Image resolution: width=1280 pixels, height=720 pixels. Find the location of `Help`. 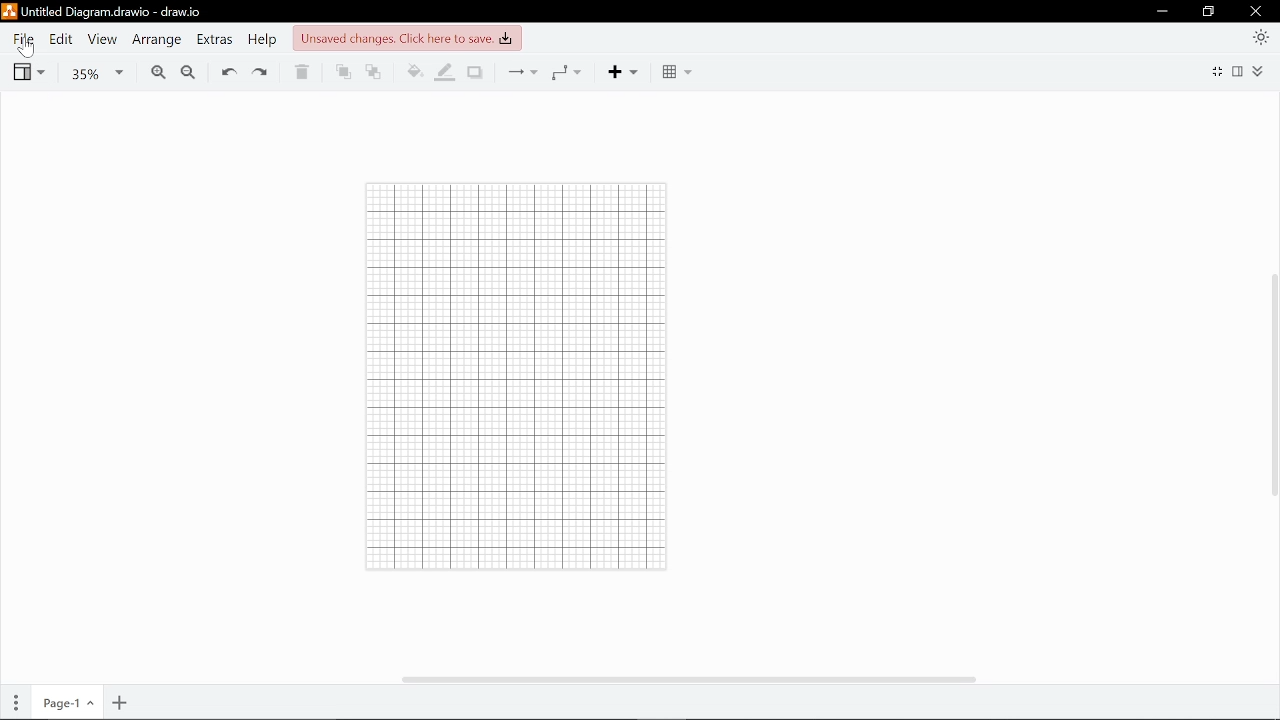

Help is located at coordinates (262, 40).